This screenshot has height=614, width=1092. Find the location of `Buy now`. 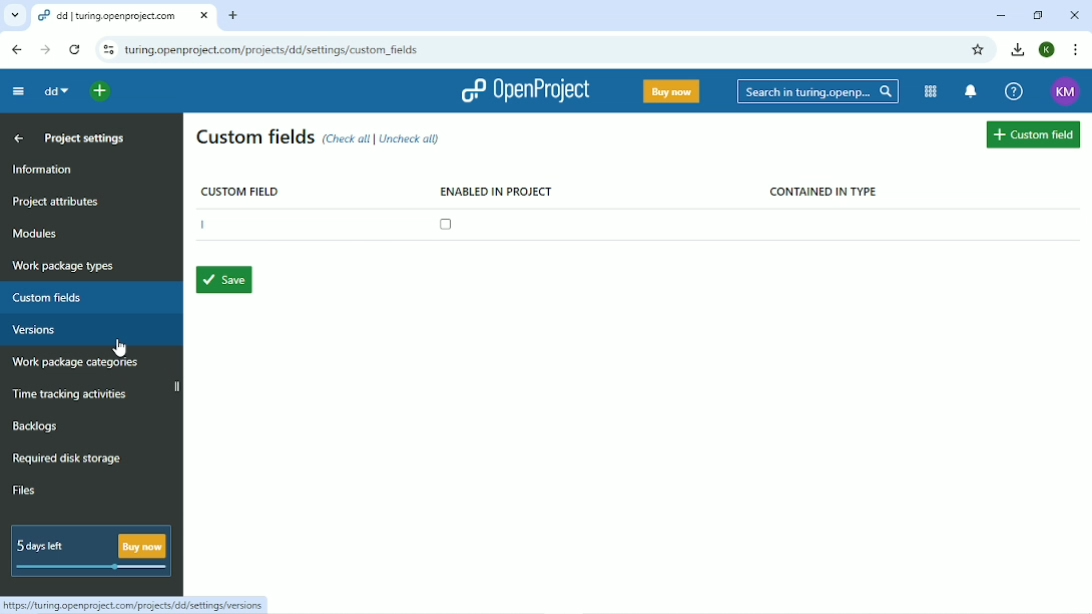

Buy now is located at coordinates (673, 91).